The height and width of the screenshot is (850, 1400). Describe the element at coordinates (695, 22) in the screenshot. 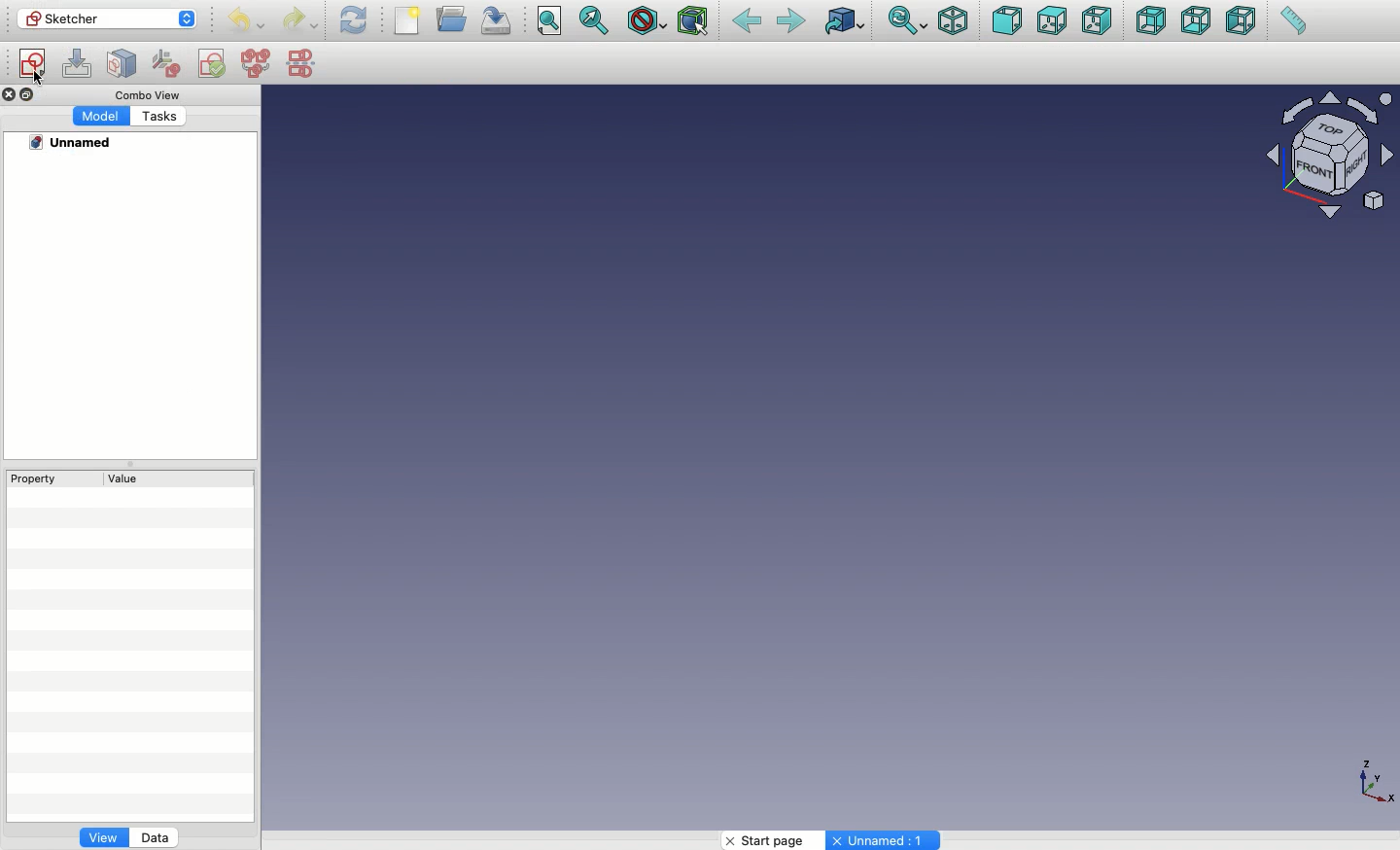

I see `Bounding box` at that location.